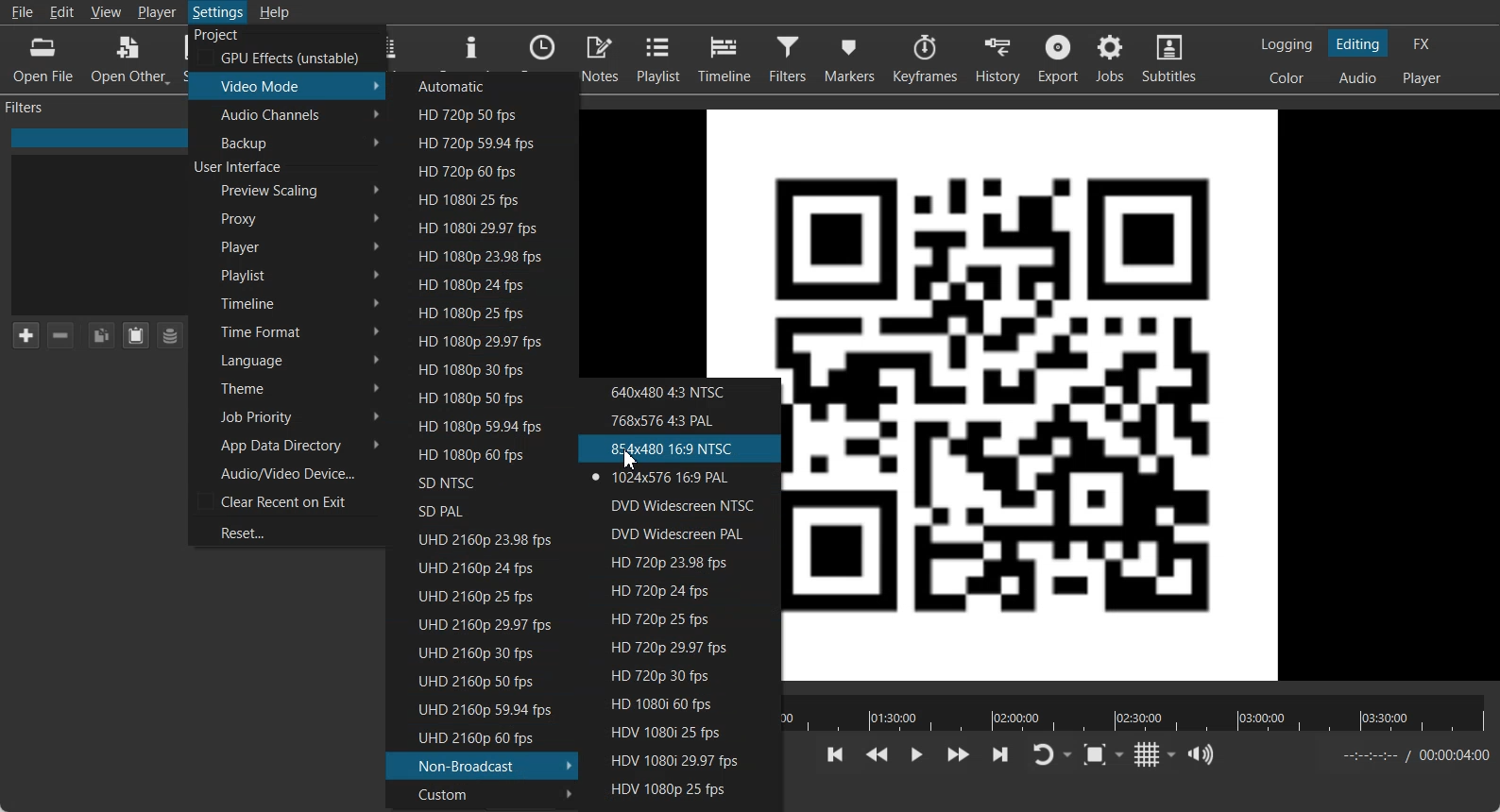 Image resolution: width=1500 pixels, height=812 pixels. What do you see at coordinates (473, 425) in the screenshot?
I see `HD 1080p 59.94 fps` at bounding box center [473, 425].